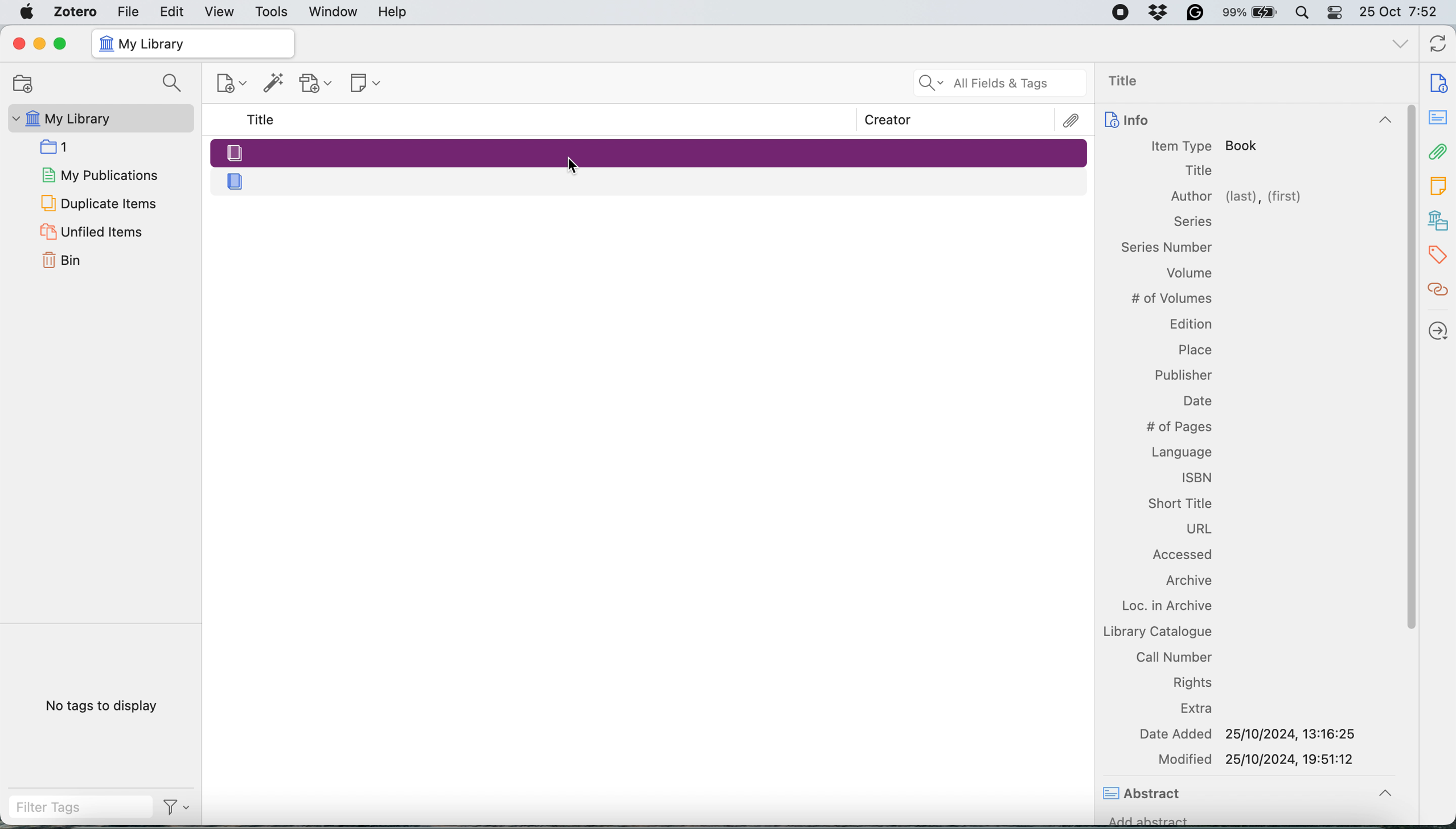  I want to click on Close, so click(18, 43).